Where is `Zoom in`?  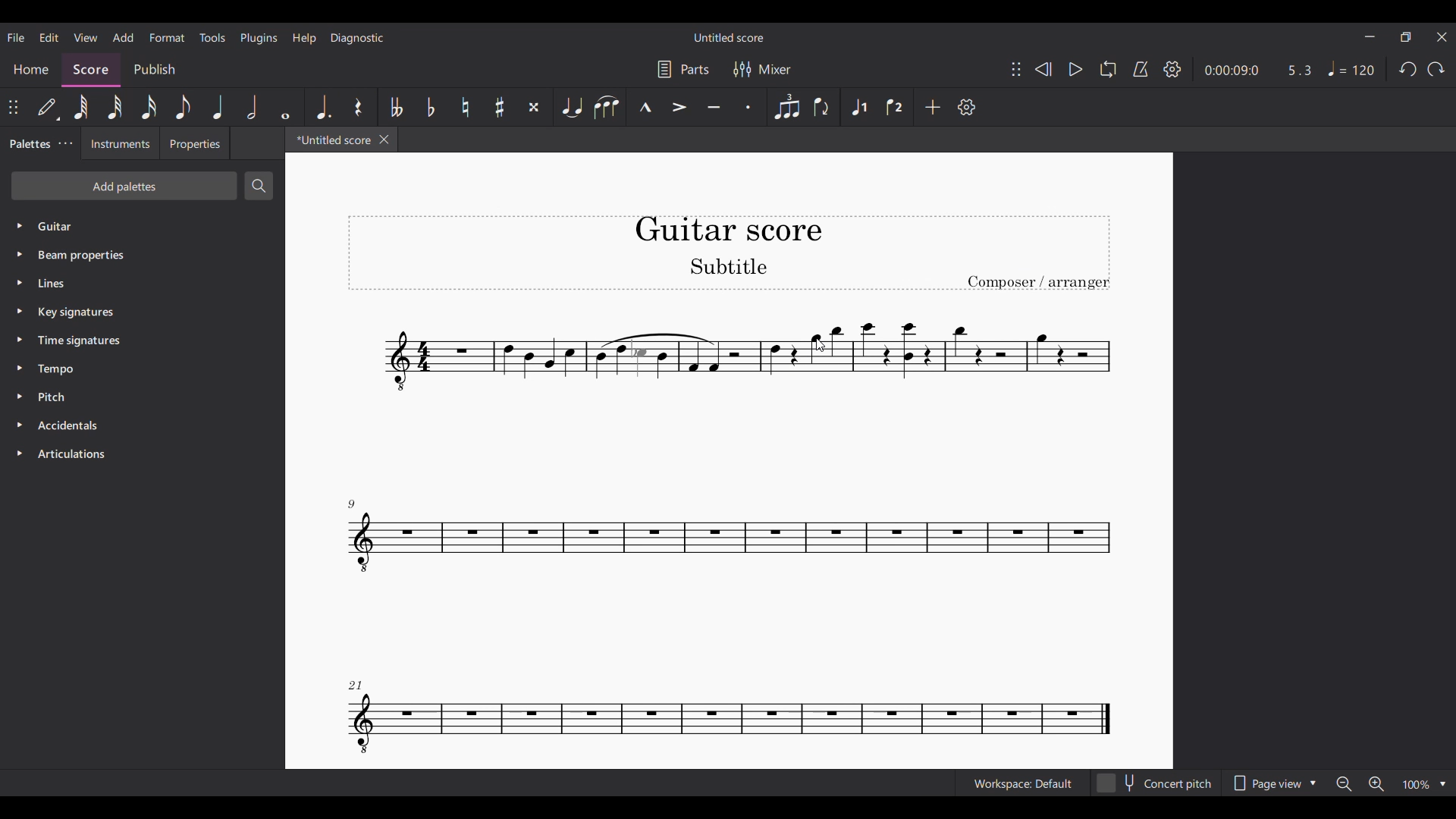
Zoom in is located at coordinates (1376, 784).